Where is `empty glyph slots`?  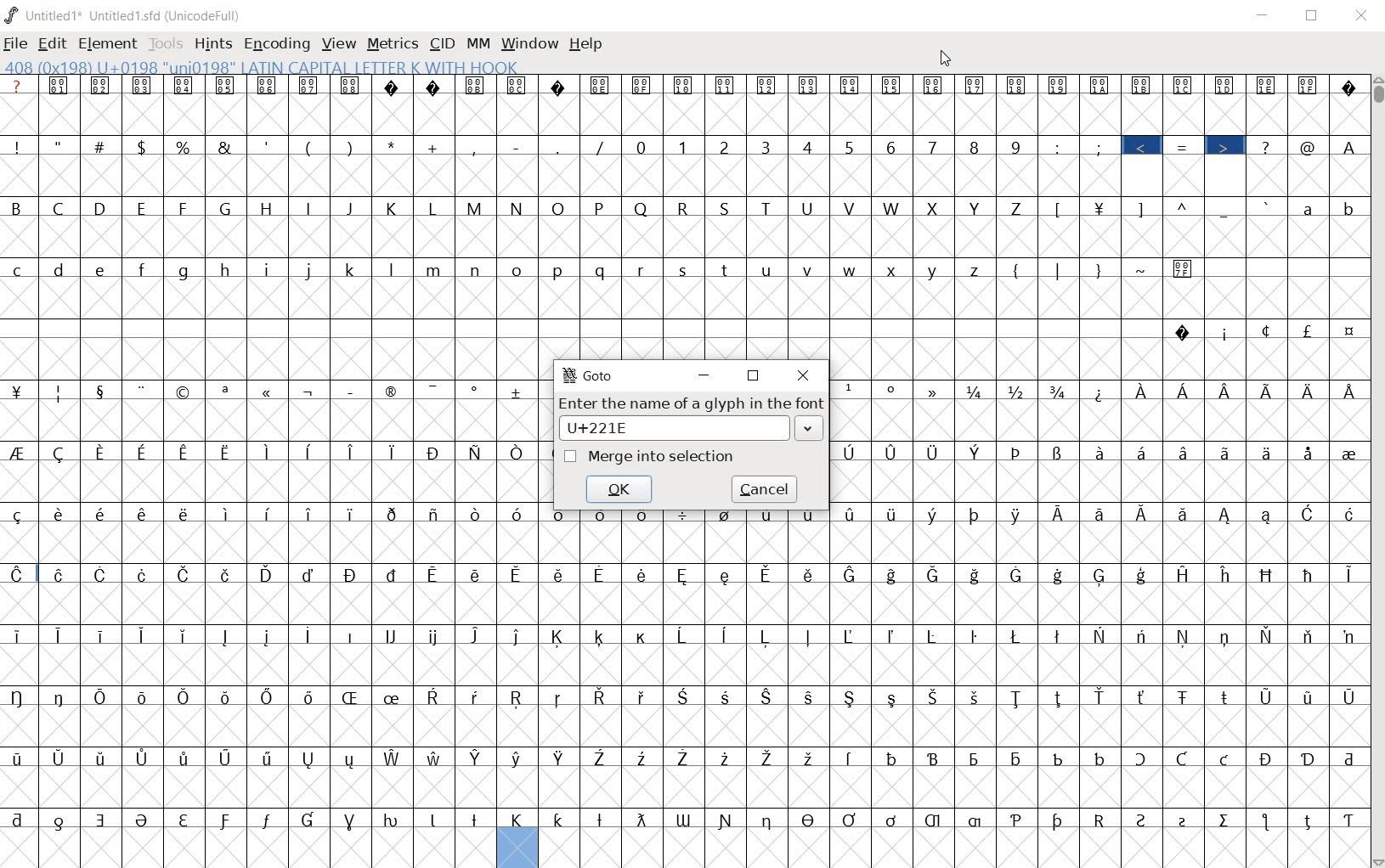 empty glyph slots is located at coordinates (1102, 358).